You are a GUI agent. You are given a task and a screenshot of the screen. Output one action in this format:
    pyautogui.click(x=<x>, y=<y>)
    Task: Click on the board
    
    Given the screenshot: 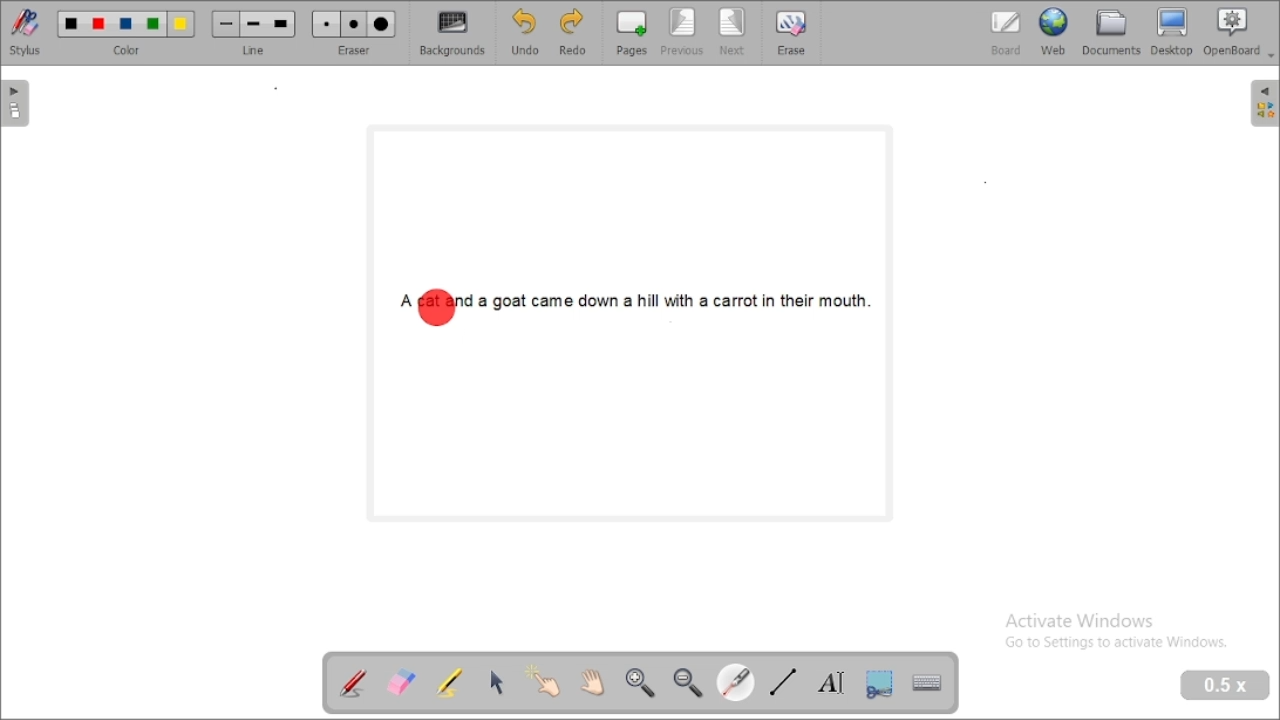 What is the action you would take?
    pyautogui.click(x=1005, y=34)
    